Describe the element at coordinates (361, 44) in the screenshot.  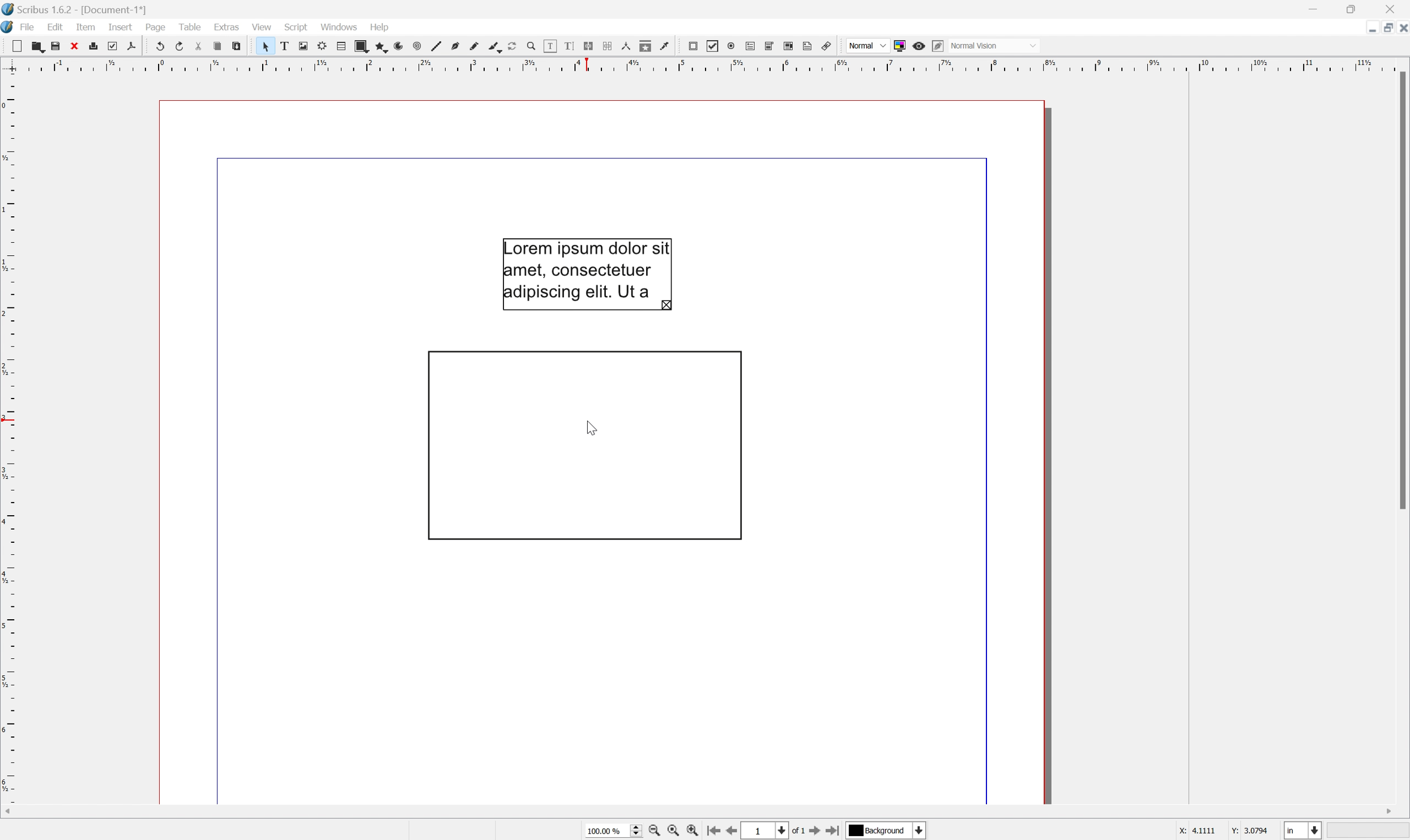
I see `Shape` at that location.